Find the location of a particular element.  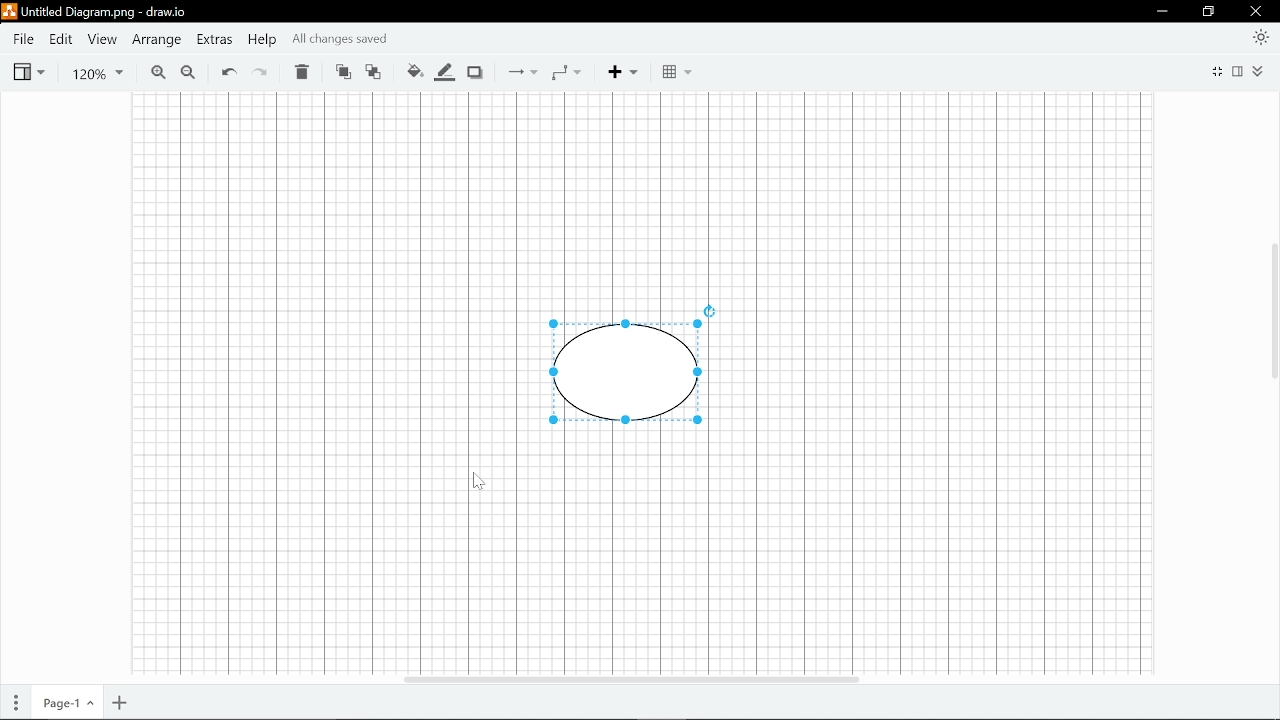

Waypoints is located at coordinates (565, 72).